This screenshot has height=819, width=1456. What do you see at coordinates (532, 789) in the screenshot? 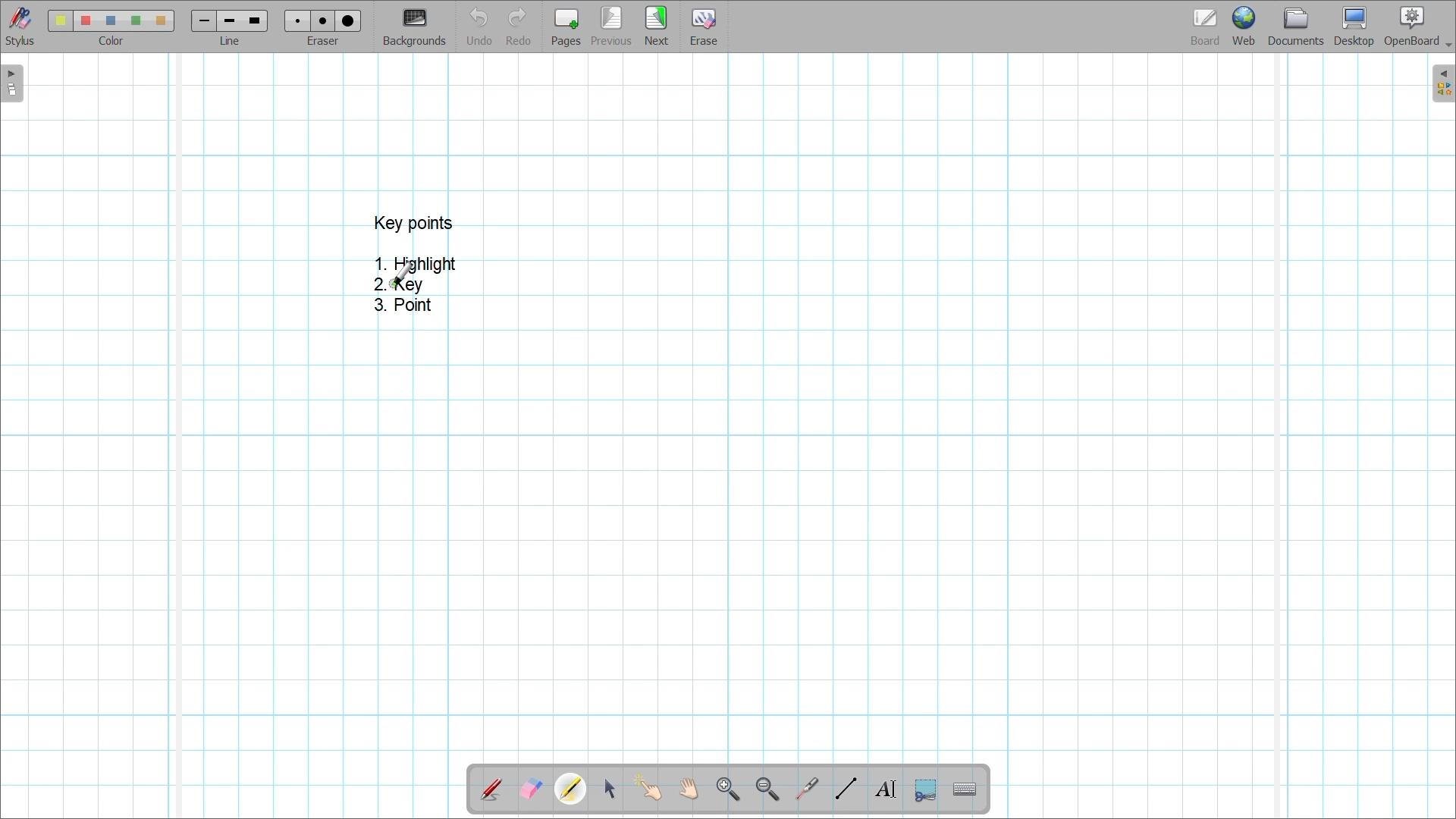
I see `Erase annotation` at bounding box center [532, 789].